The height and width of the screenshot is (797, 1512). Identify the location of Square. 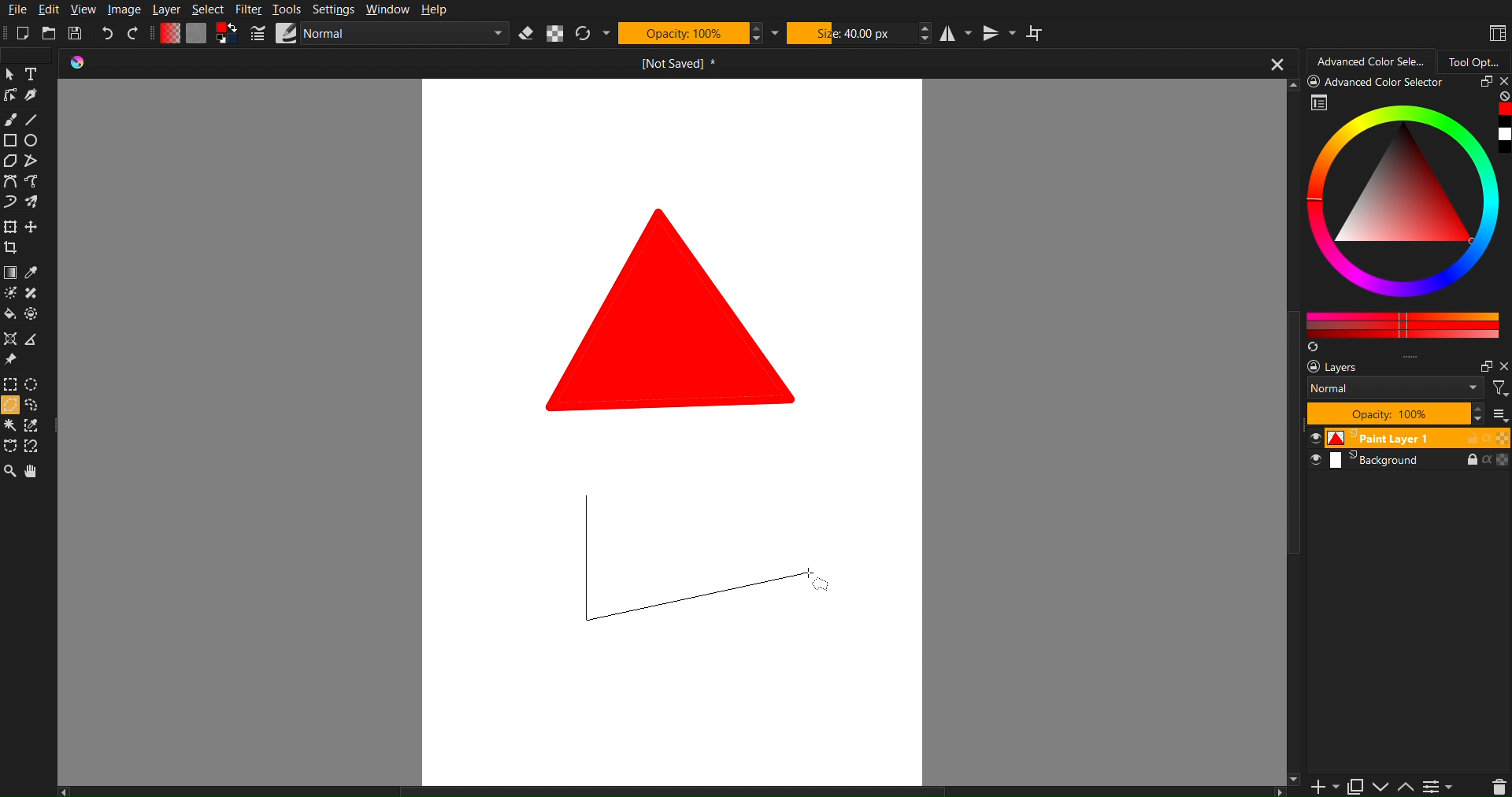
(9, 228).